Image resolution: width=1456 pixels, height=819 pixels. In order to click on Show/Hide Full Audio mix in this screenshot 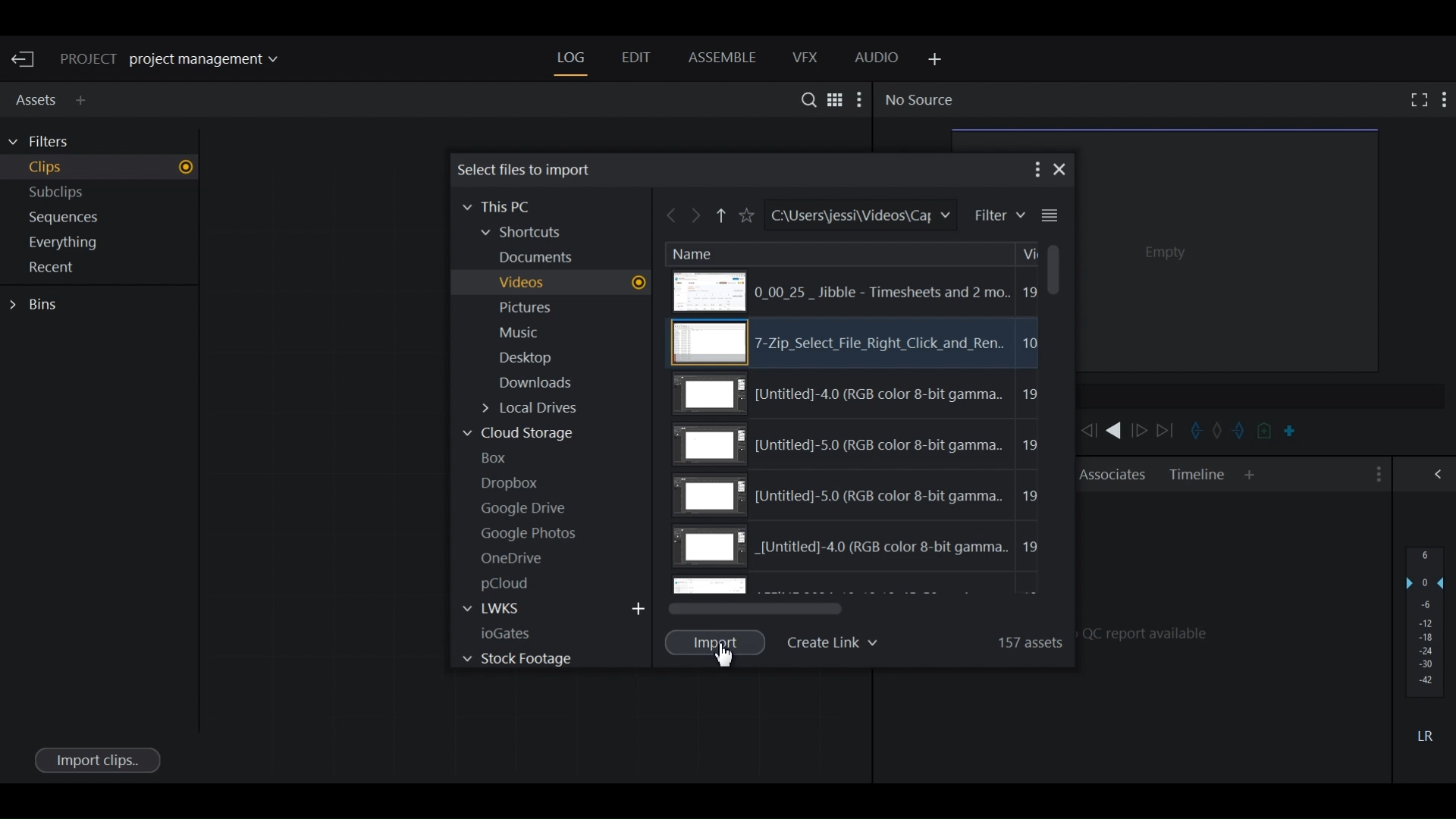, I will do `click(1441, 473)`.